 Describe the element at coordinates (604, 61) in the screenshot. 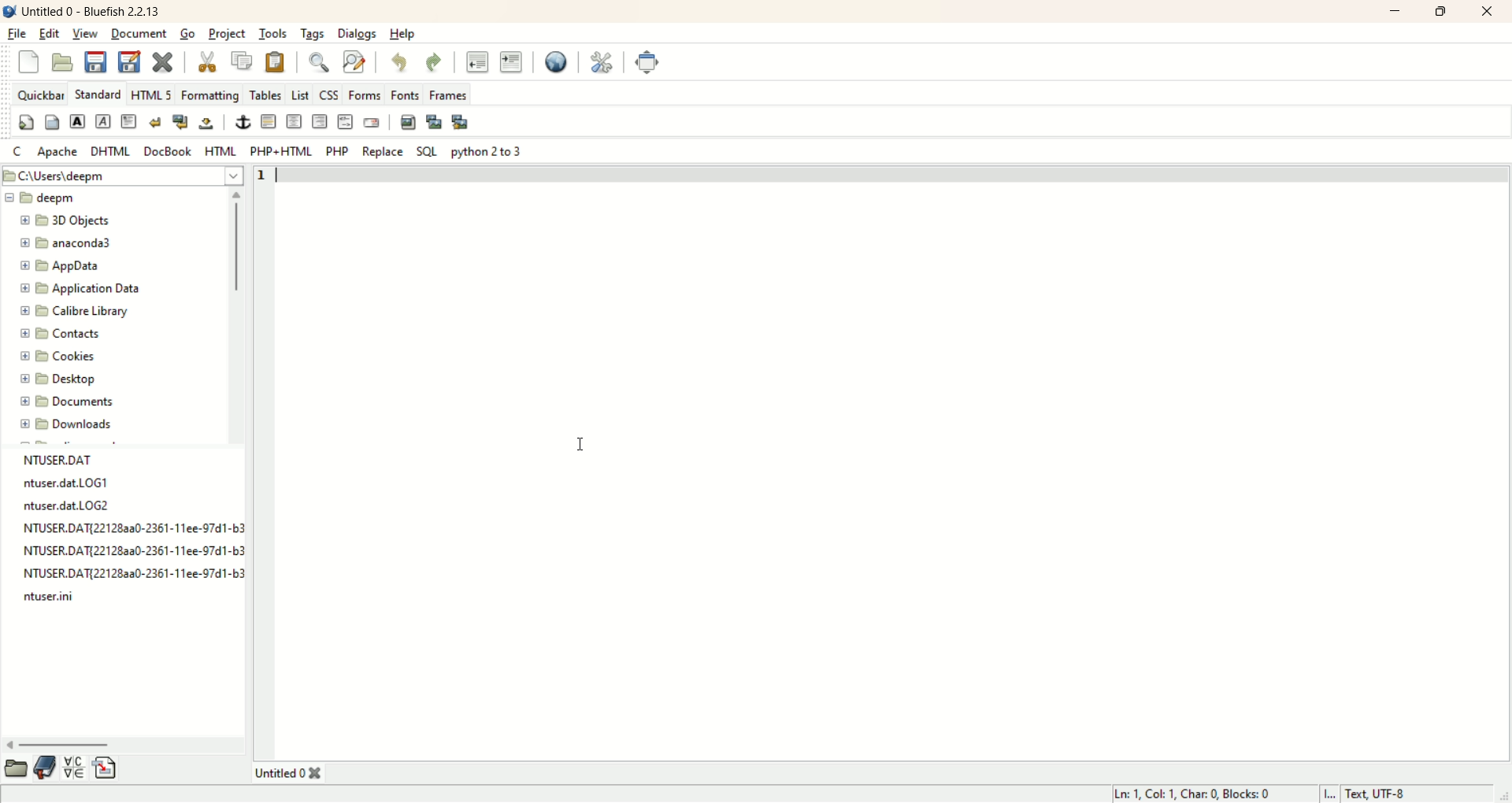

I see `edit preferences` at that location.